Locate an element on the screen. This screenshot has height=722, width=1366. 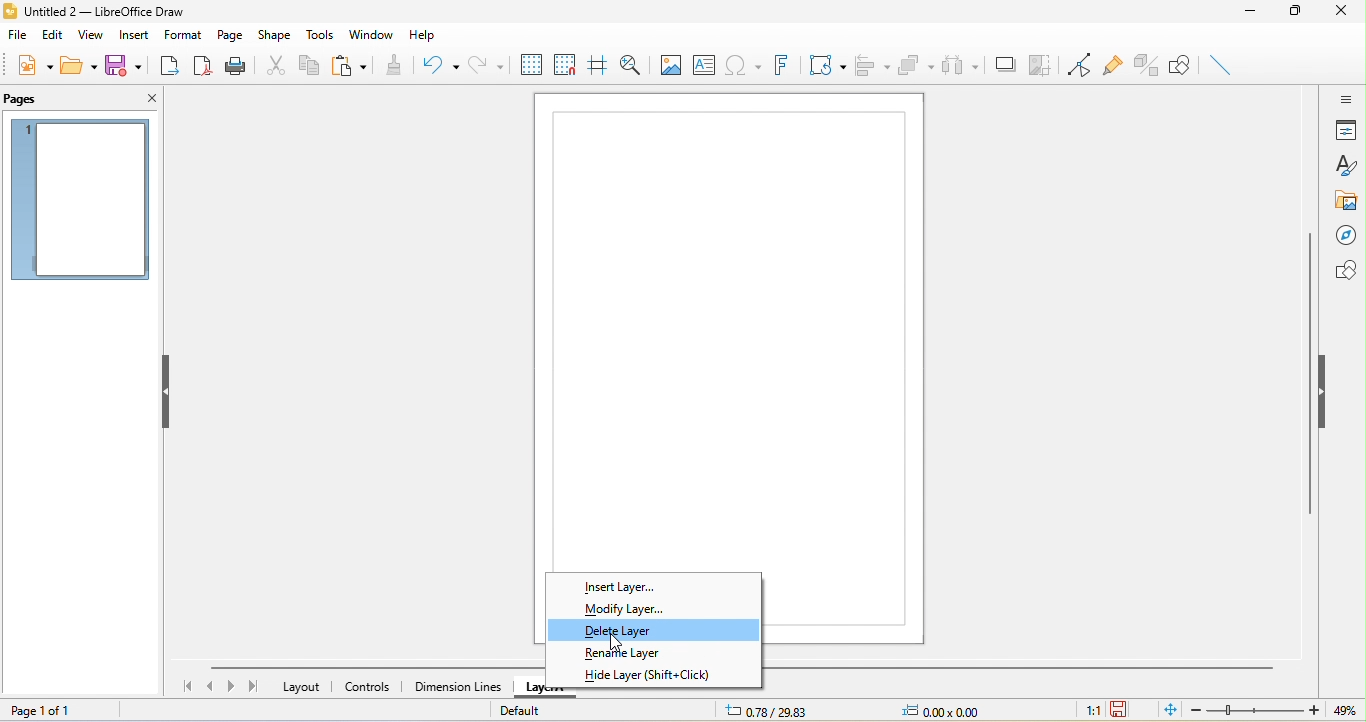
0.00x0.00 is located at coordinates (930, 708).